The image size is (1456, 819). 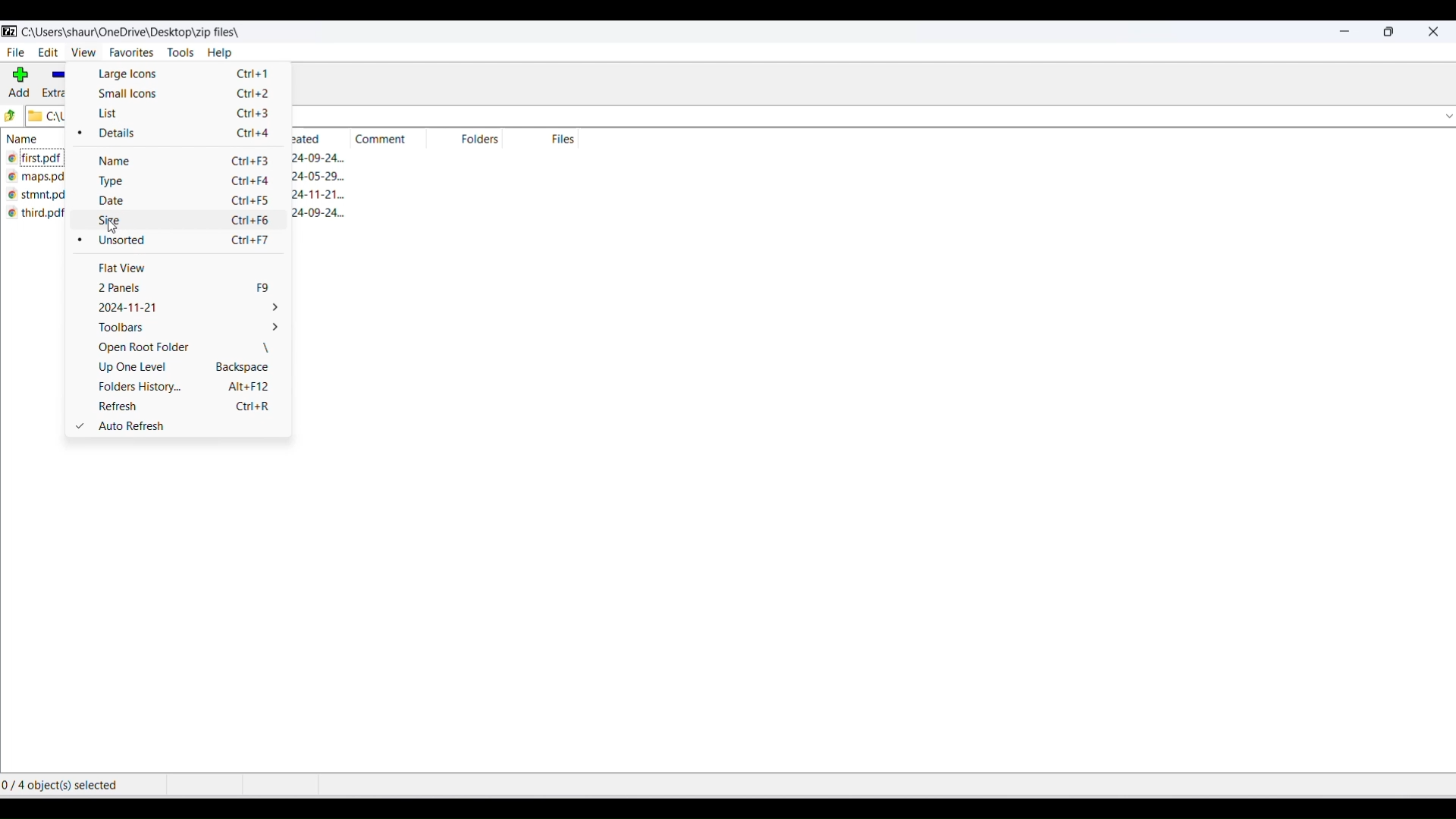 What do you see at coordinates (187, 388) in the screenshot?
I see `folder history` at bounding box center [187, 388].